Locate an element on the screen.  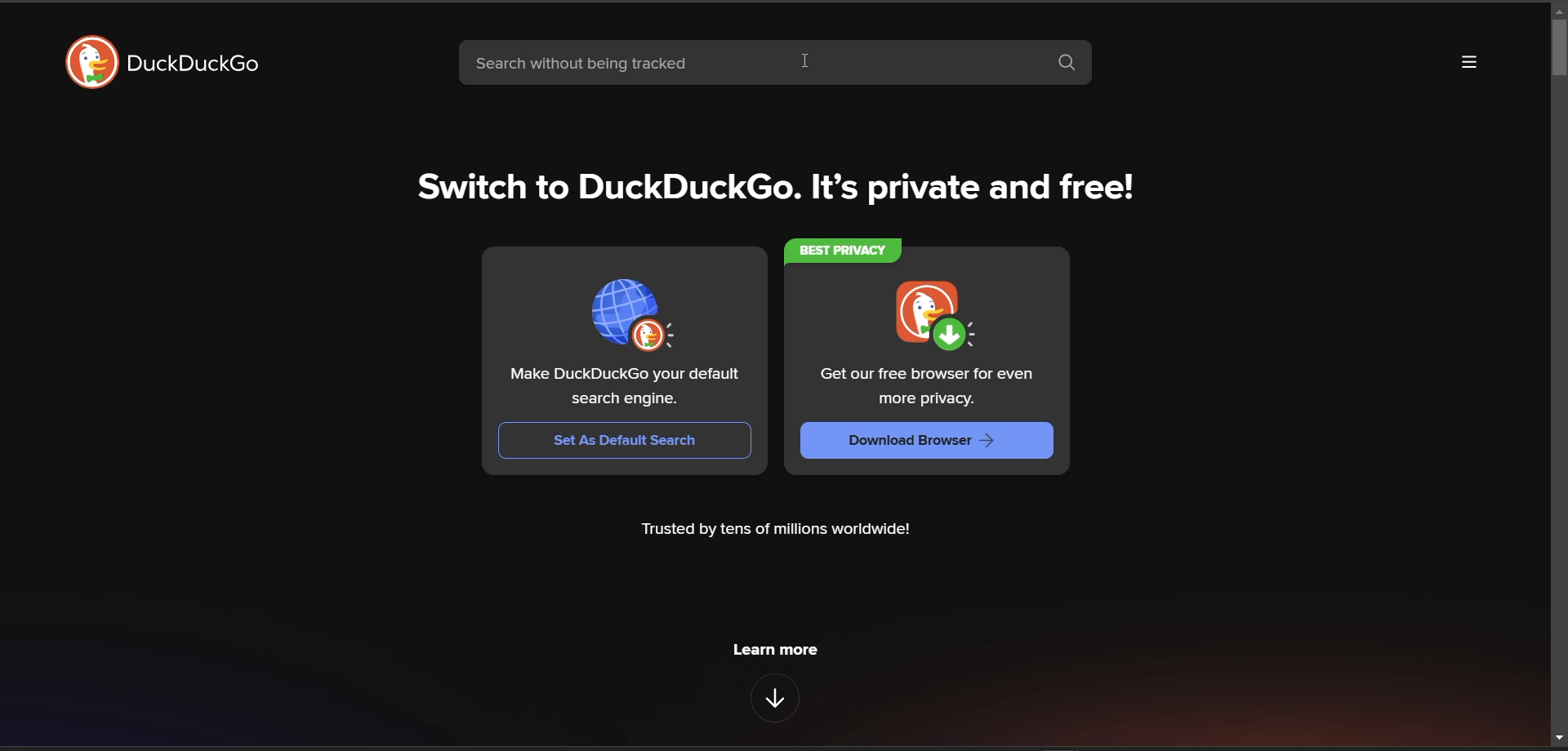
search button is located at coordinates (1065, 62).